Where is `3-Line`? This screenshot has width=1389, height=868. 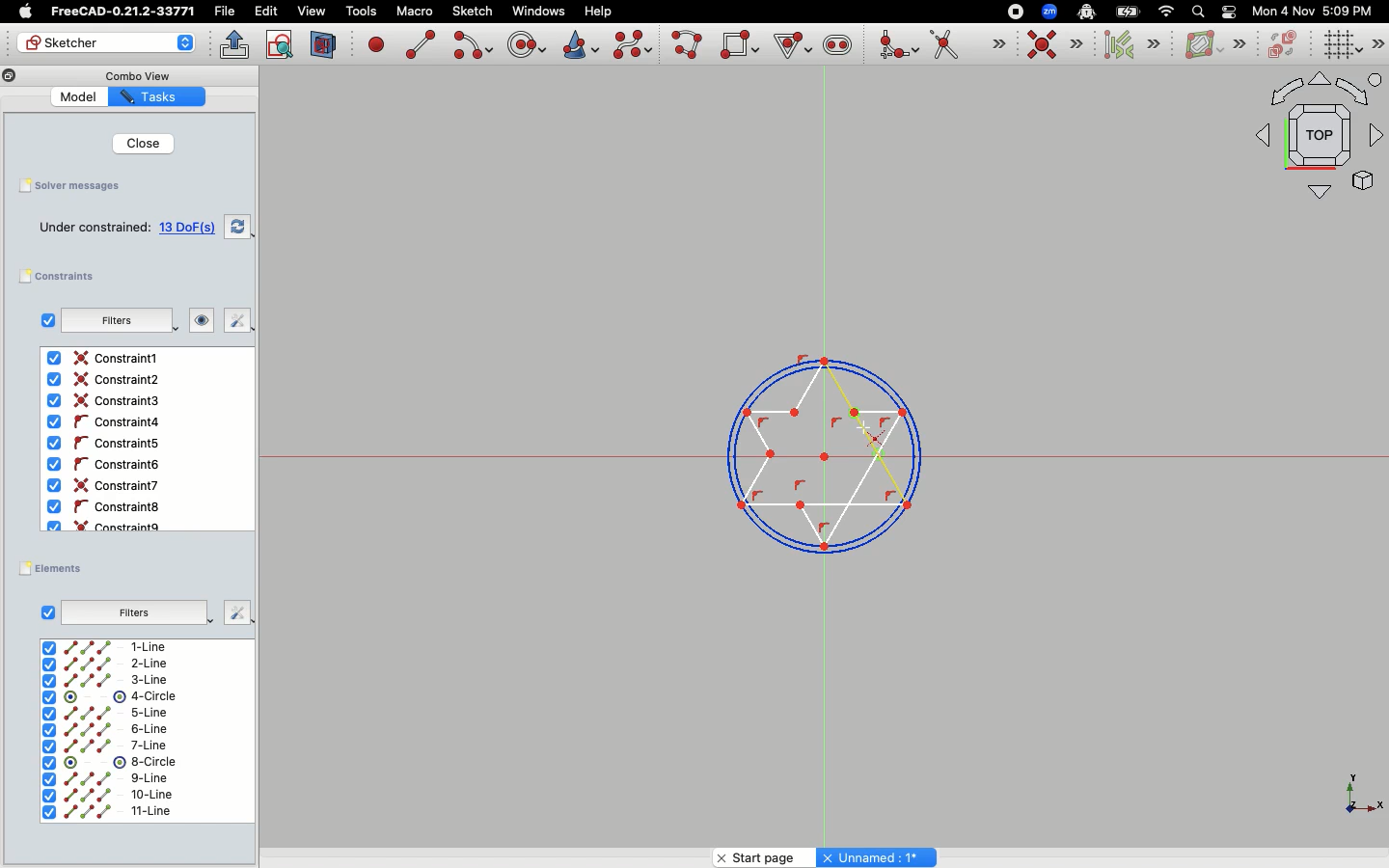
3-Line is located at coordinates (118, 680).